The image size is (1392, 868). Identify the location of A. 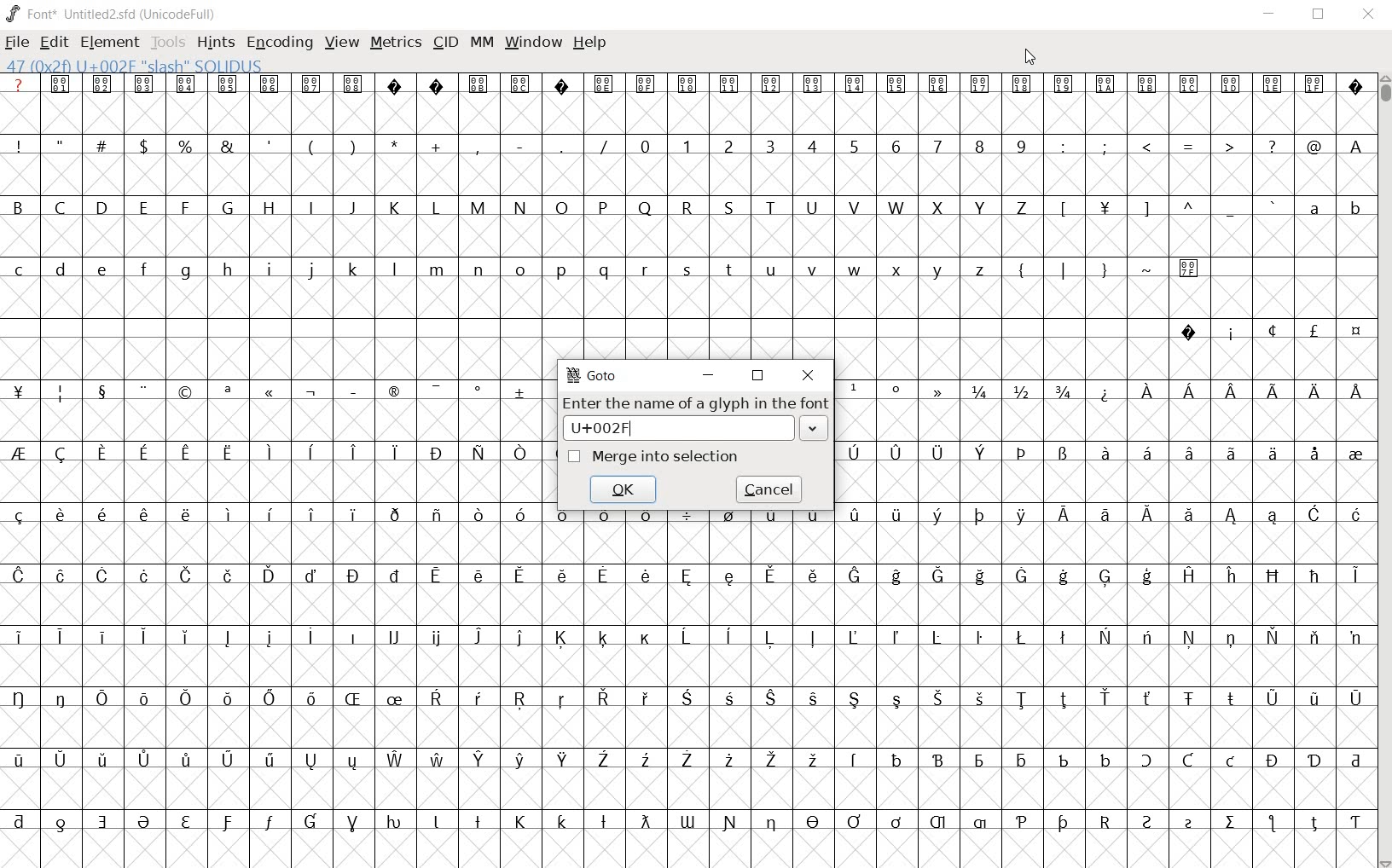
(1353, 145).